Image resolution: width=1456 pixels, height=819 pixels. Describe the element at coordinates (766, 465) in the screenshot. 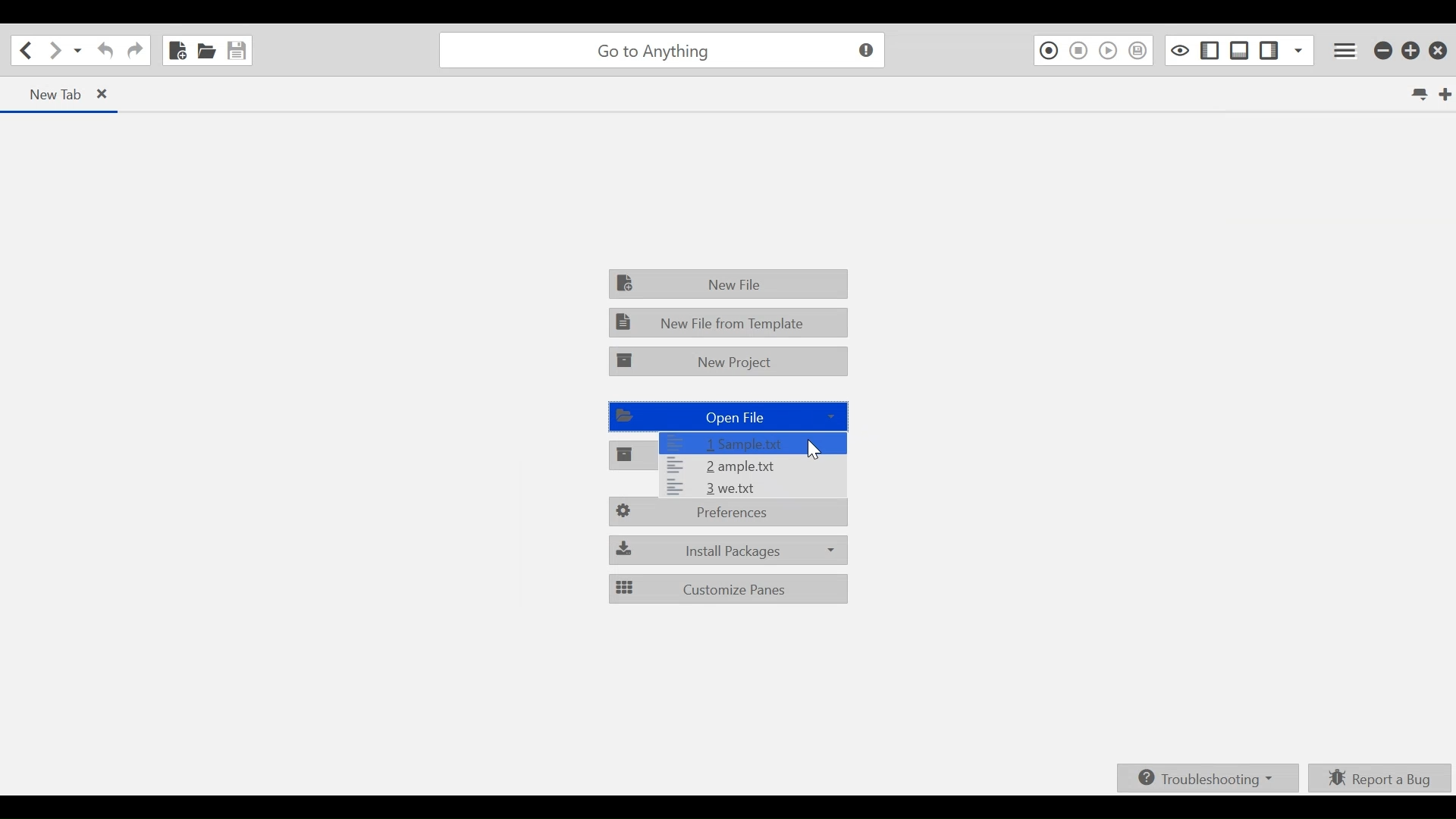

I see `2 ample.txt` at that location.